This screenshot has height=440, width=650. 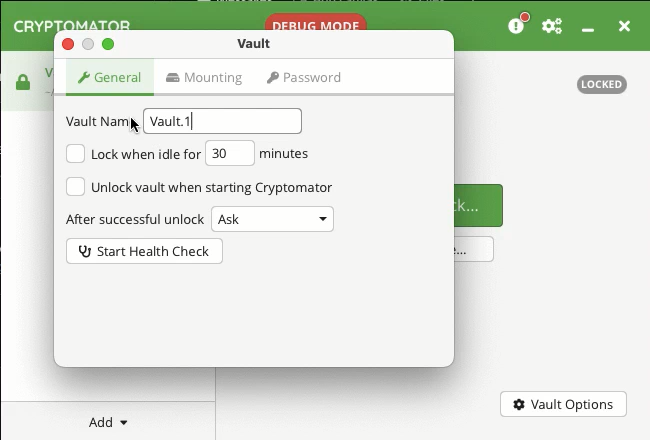 What do you see at coordinates (553, 26) in the screenshot?
I see `settings` at bounding box center [553, 26].